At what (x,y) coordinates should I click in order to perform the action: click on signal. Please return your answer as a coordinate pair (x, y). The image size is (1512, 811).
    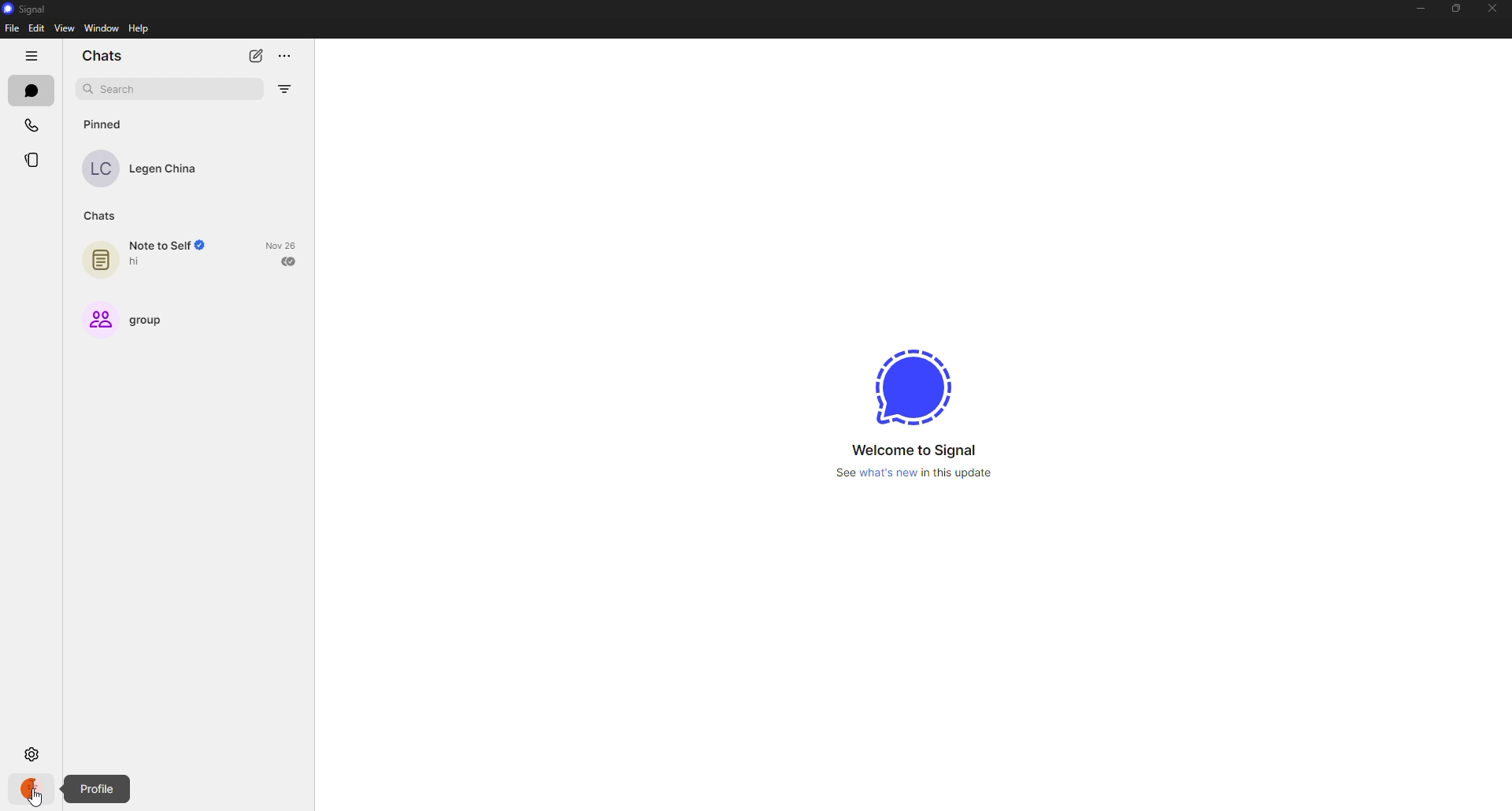
    Looking at the image, I should click on (29, 8).